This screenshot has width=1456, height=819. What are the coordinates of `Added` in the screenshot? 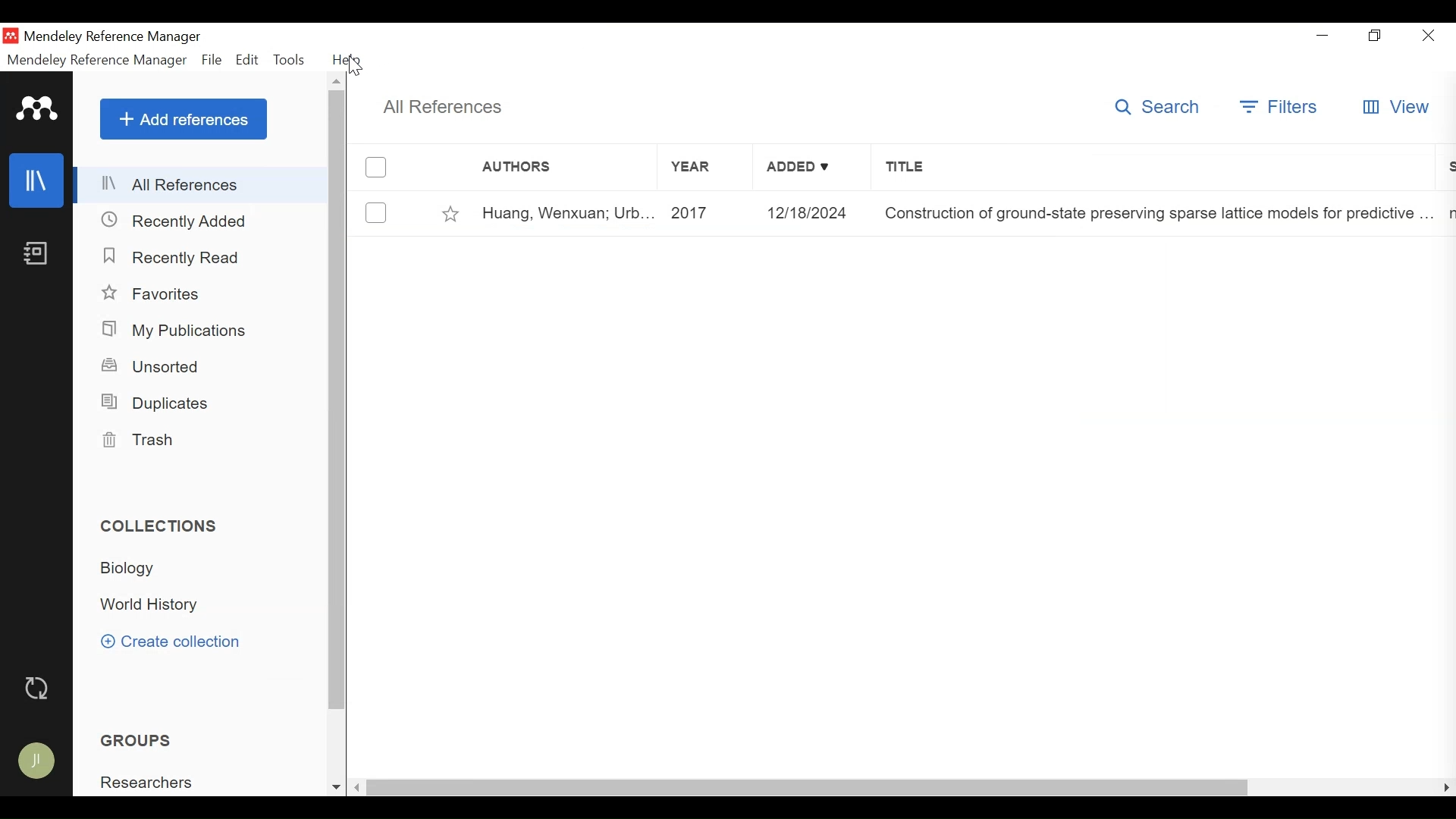 It's located at (815, 214).